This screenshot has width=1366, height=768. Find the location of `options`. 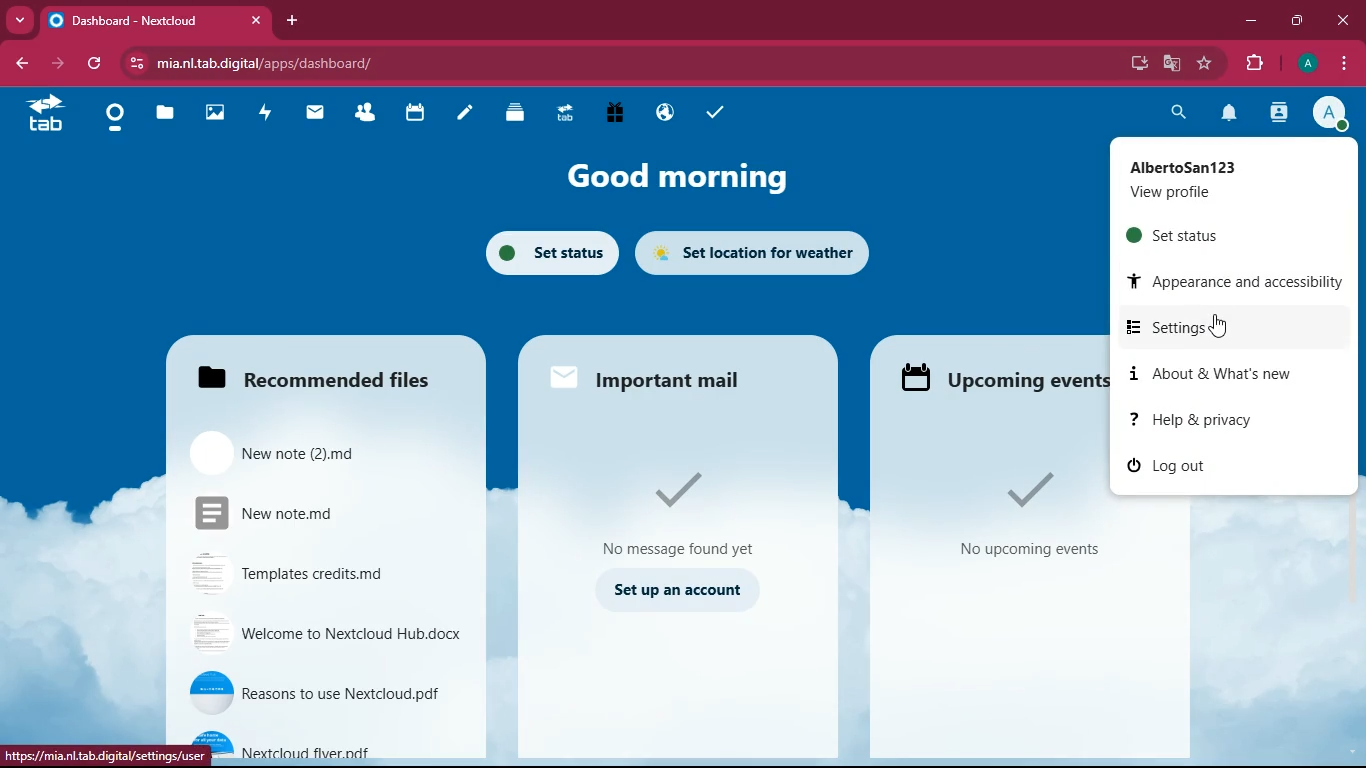

options is located at coordinates (1344, 63).